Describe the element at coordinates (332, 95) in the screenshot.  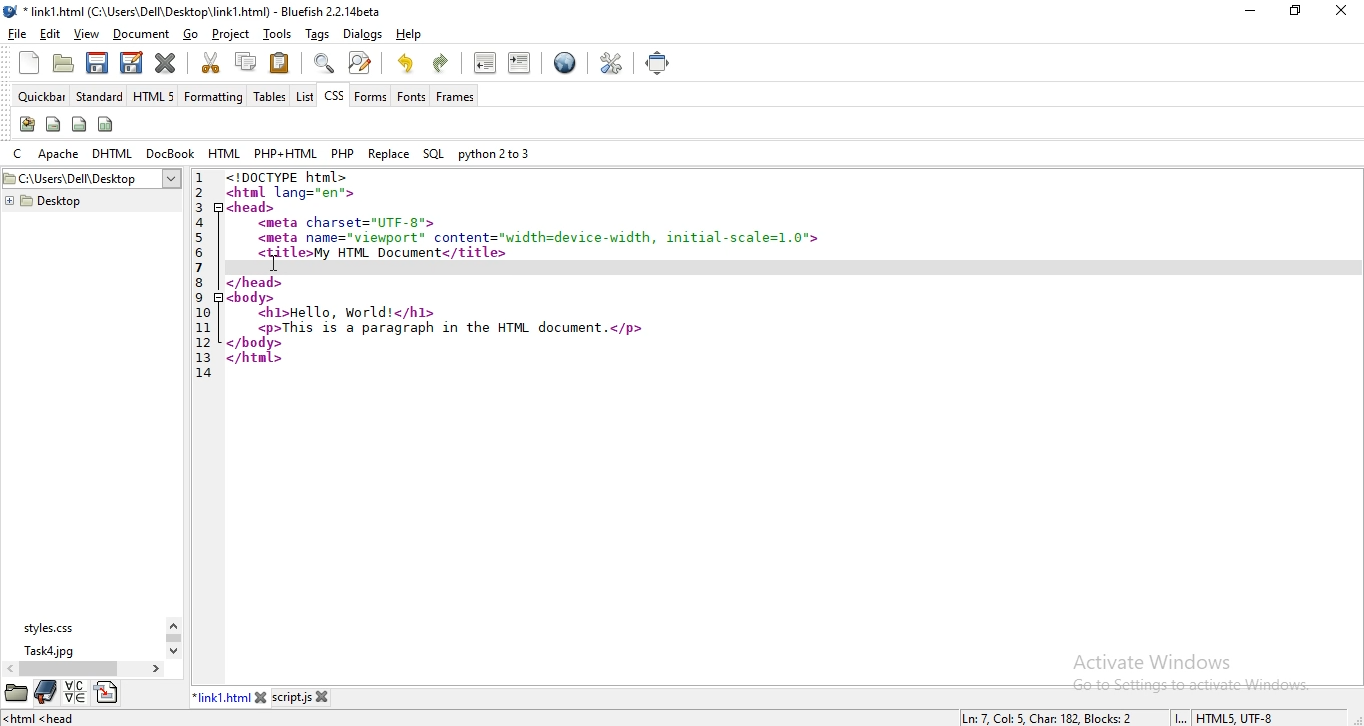
I see `css` at that location.